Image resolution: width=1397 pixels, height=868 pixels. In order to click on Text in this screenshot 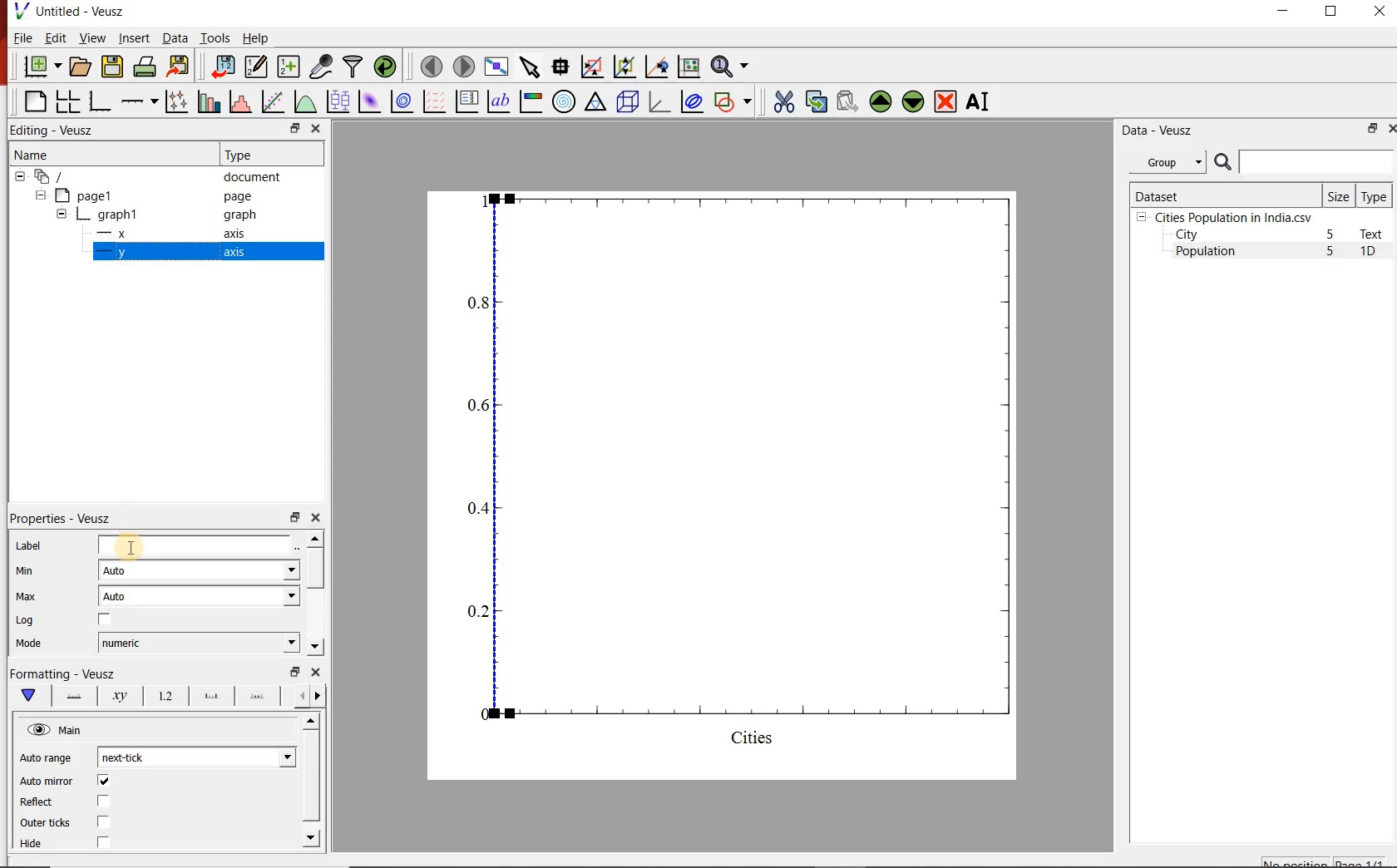, I will do `click(1375, 234)`.